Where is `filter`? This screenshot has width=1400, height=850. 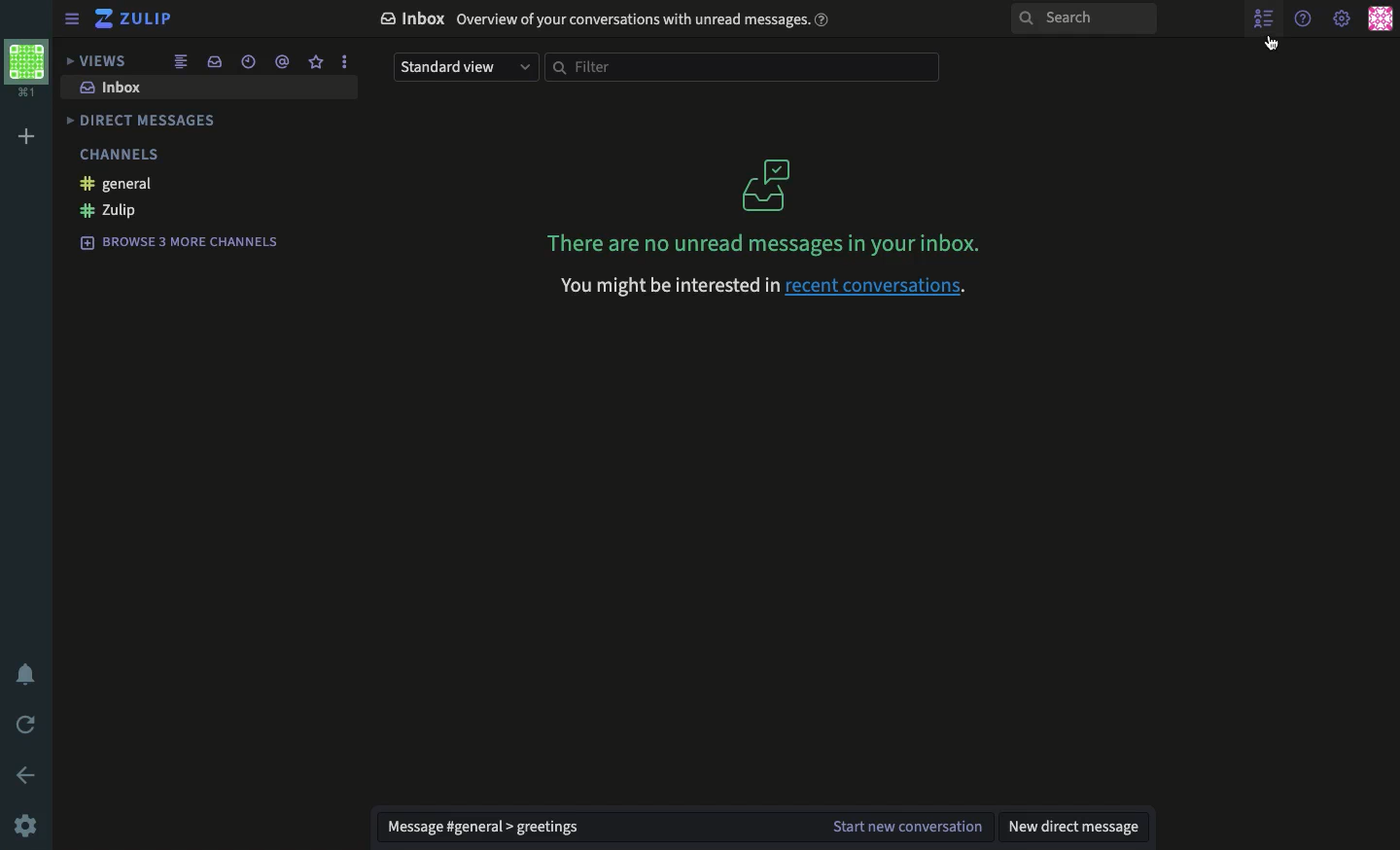 filter is located at coordinates (744, 67).